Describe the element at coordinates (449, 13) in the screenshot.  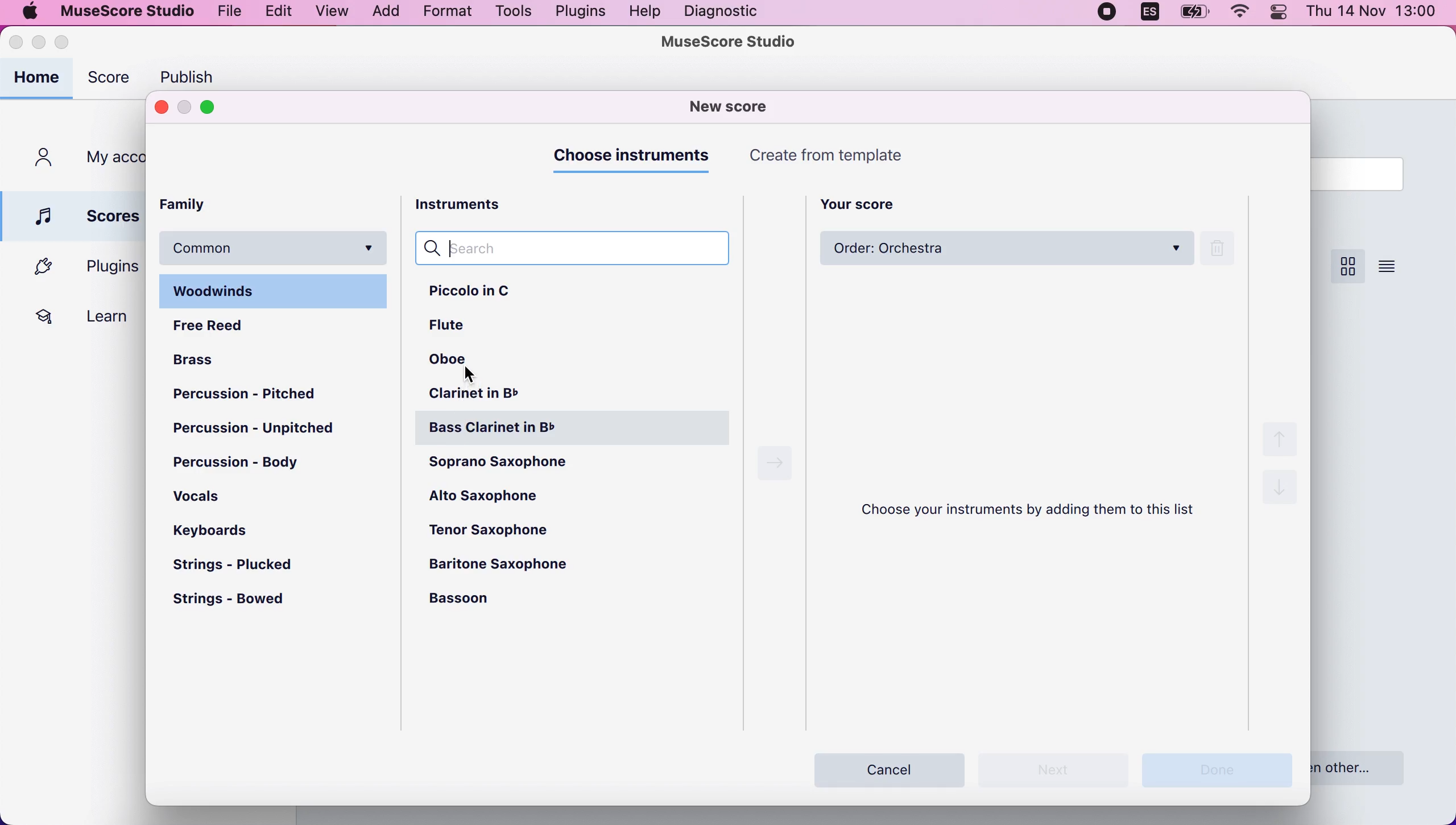
I see `format` at that location.